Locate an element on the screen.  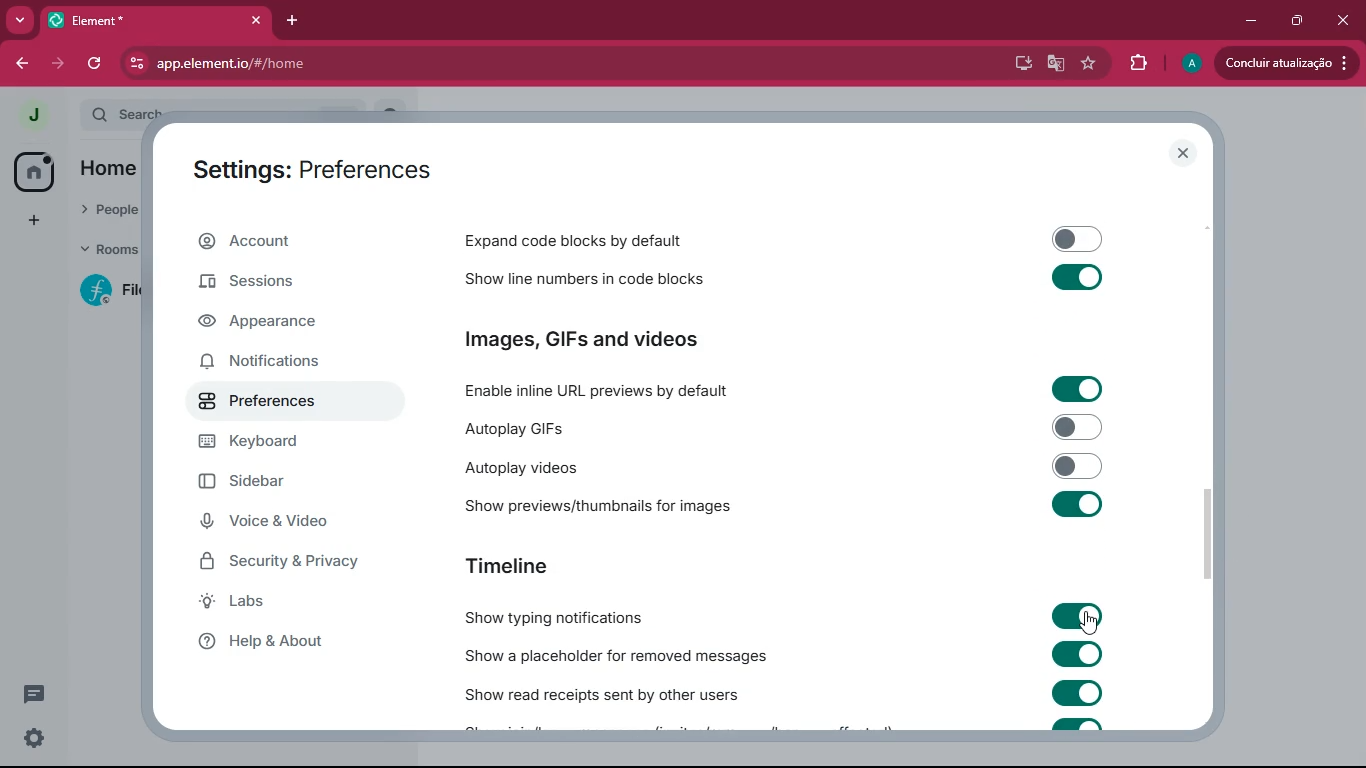
update is located at coordinates (1286, 61).